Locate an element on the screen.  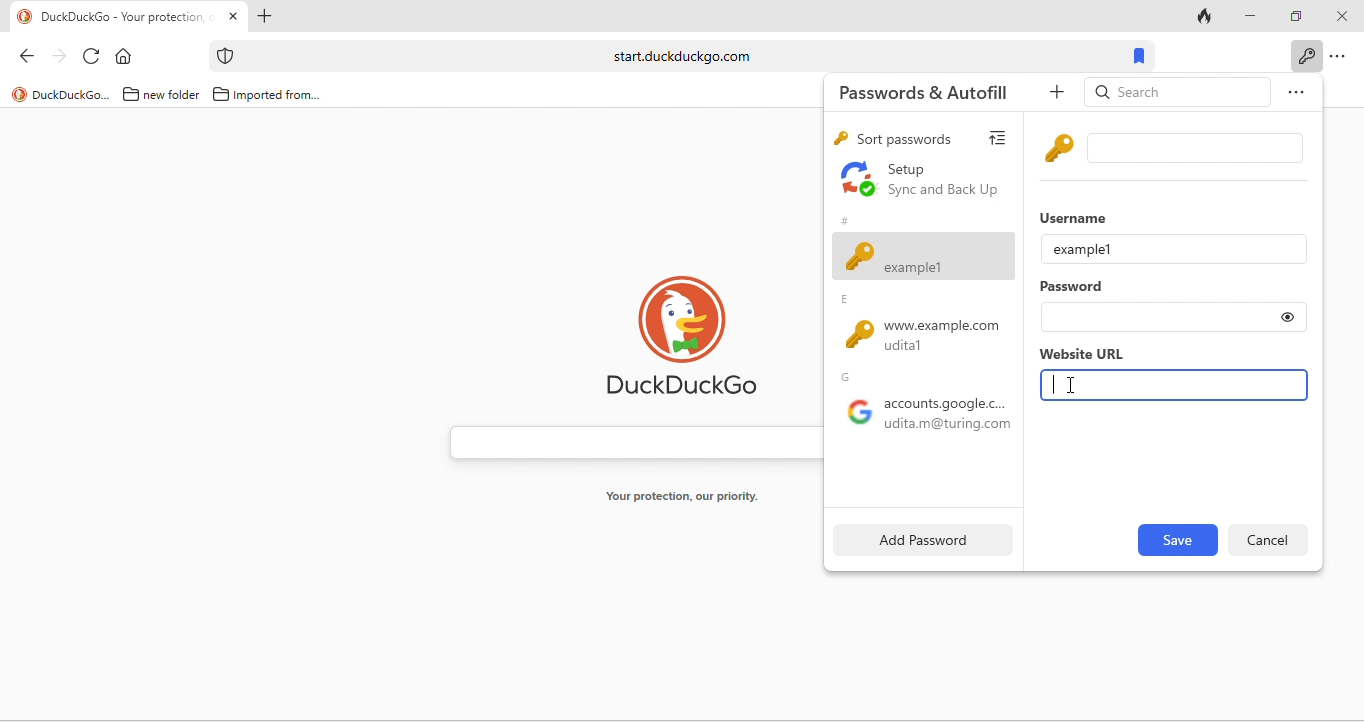
reload is located at coordinates (93, 54).